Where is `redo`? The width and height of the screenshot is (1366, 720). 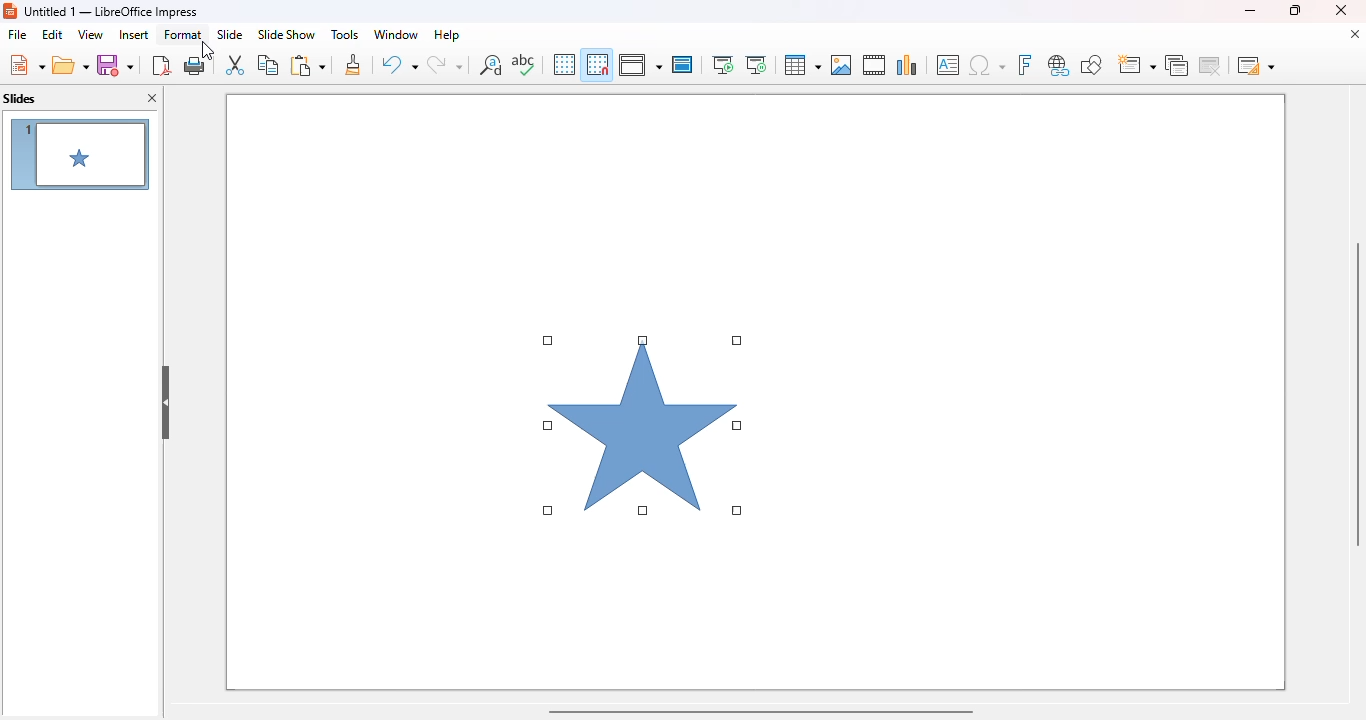 redo is located at coordinates (445, 65).